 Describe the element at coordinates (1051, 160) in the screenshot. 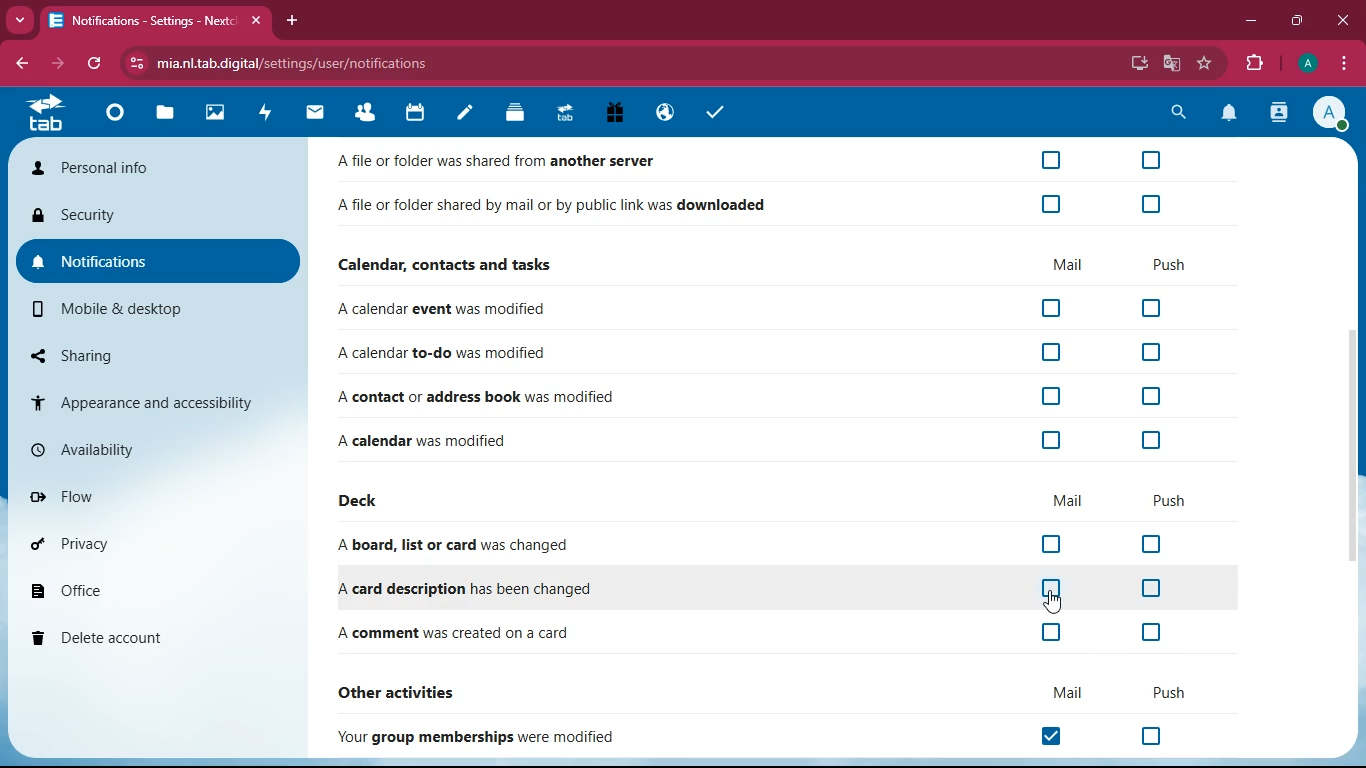

I see `off` at that location.